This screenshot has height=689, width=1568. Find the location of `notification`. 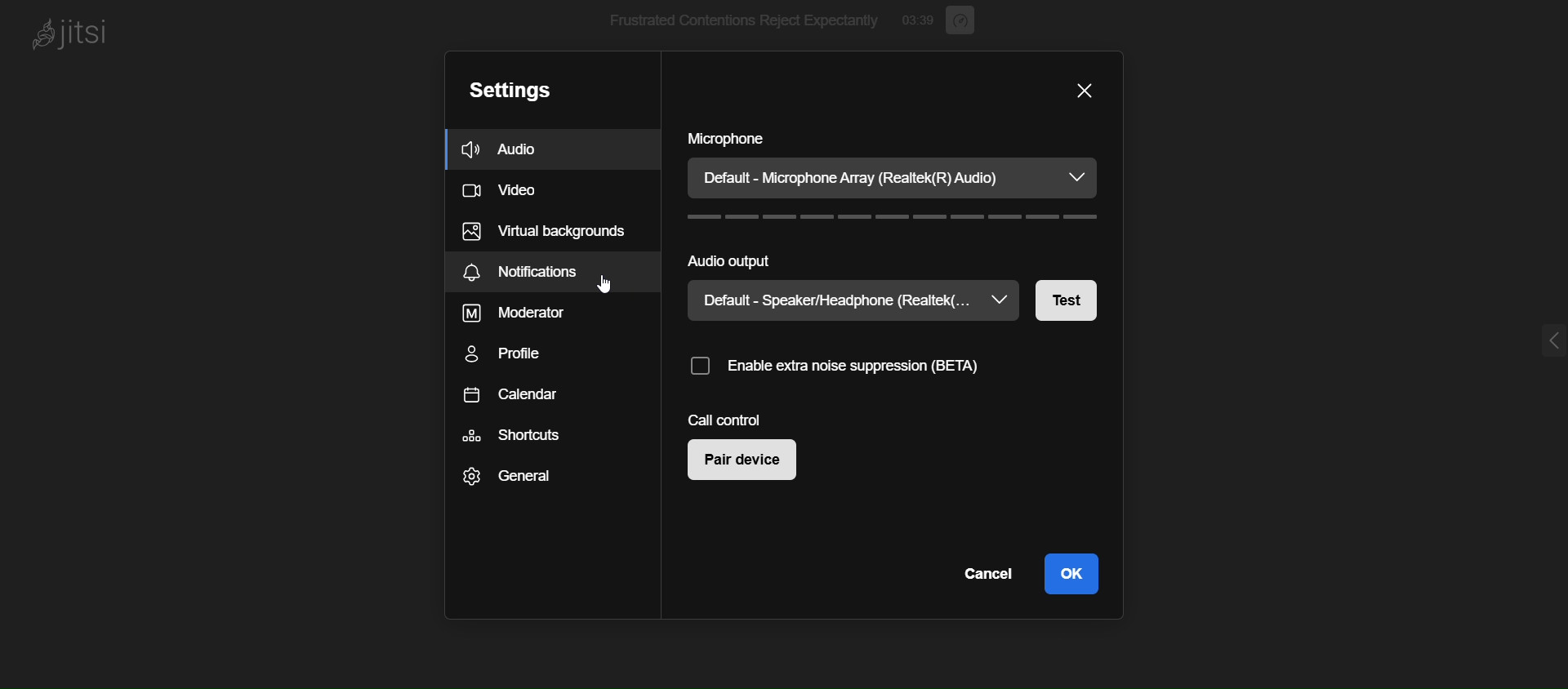

notification is located at coordinates (545, 272).